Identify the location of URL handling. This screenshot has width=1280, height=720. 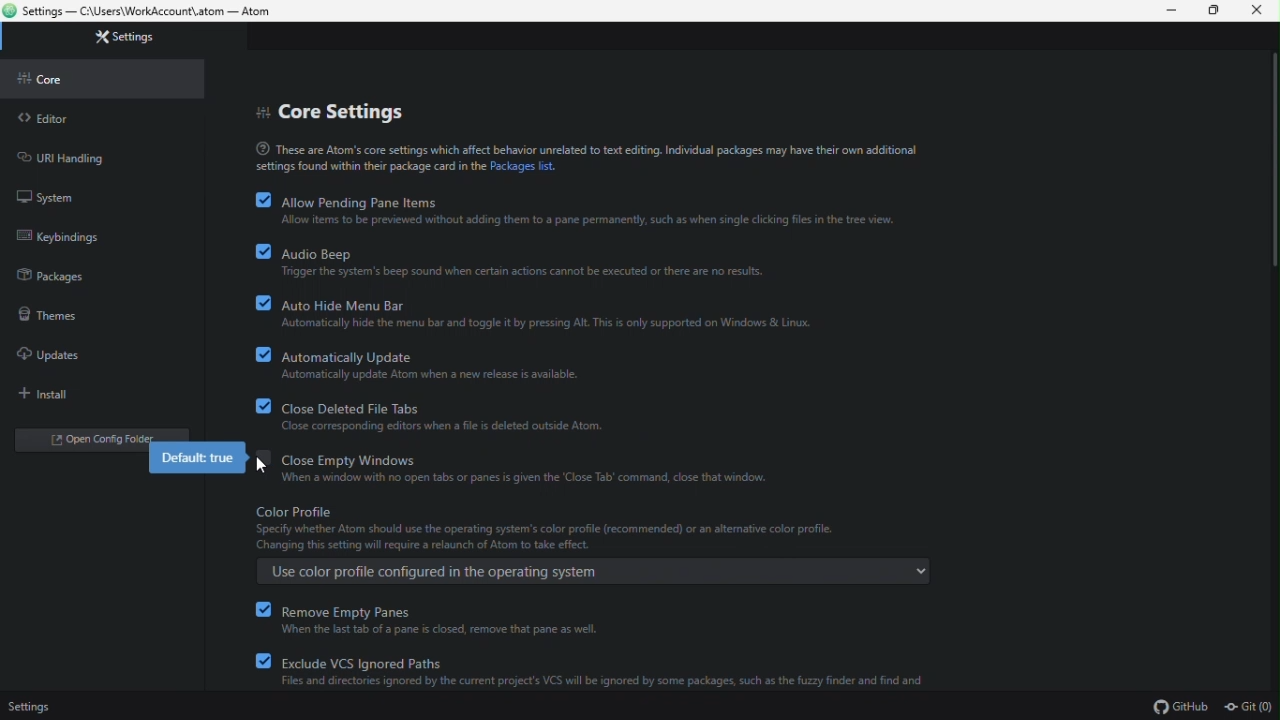
(78, 157).